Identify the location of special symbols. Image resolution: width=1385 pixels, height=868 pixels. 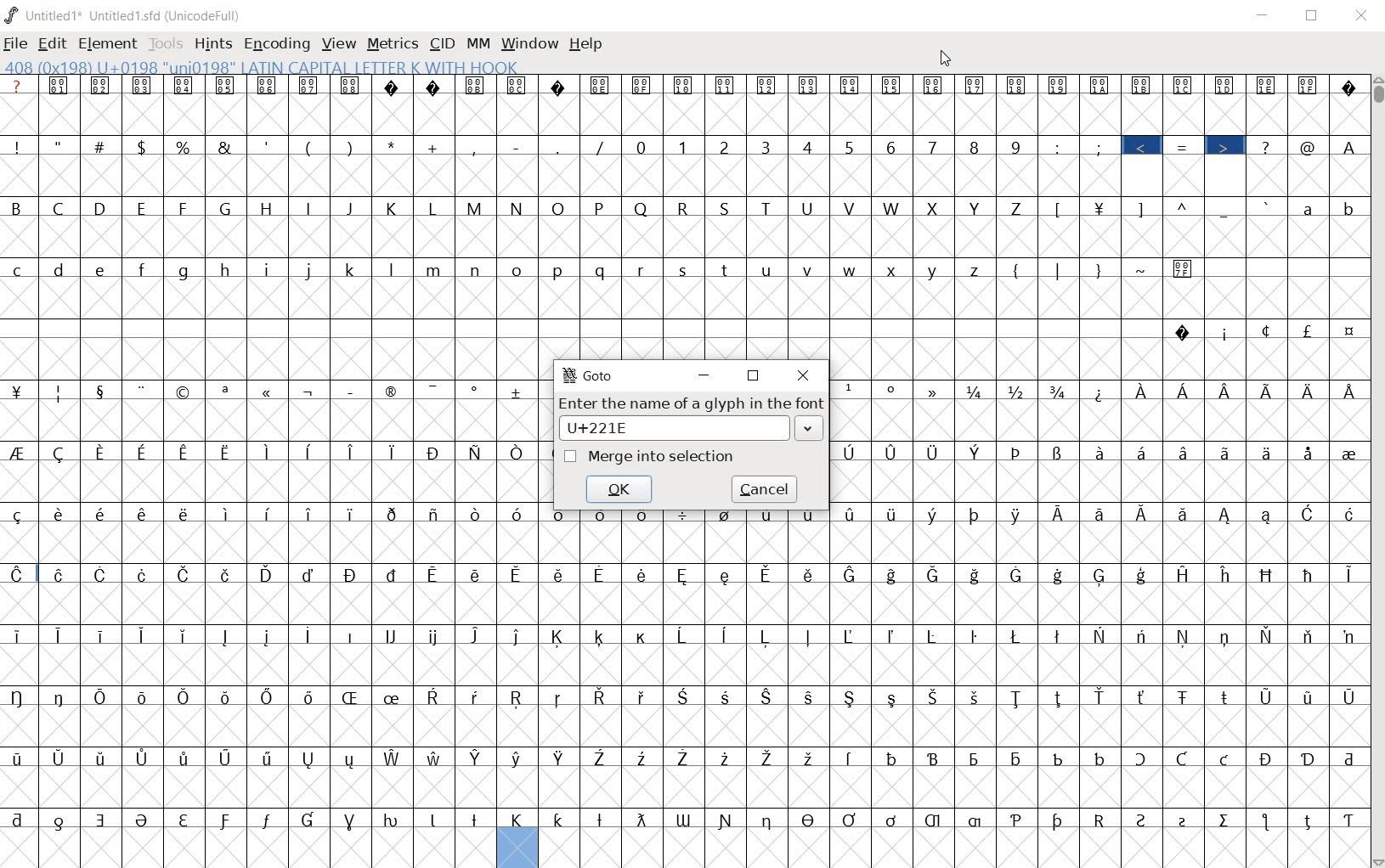
(275, 390).